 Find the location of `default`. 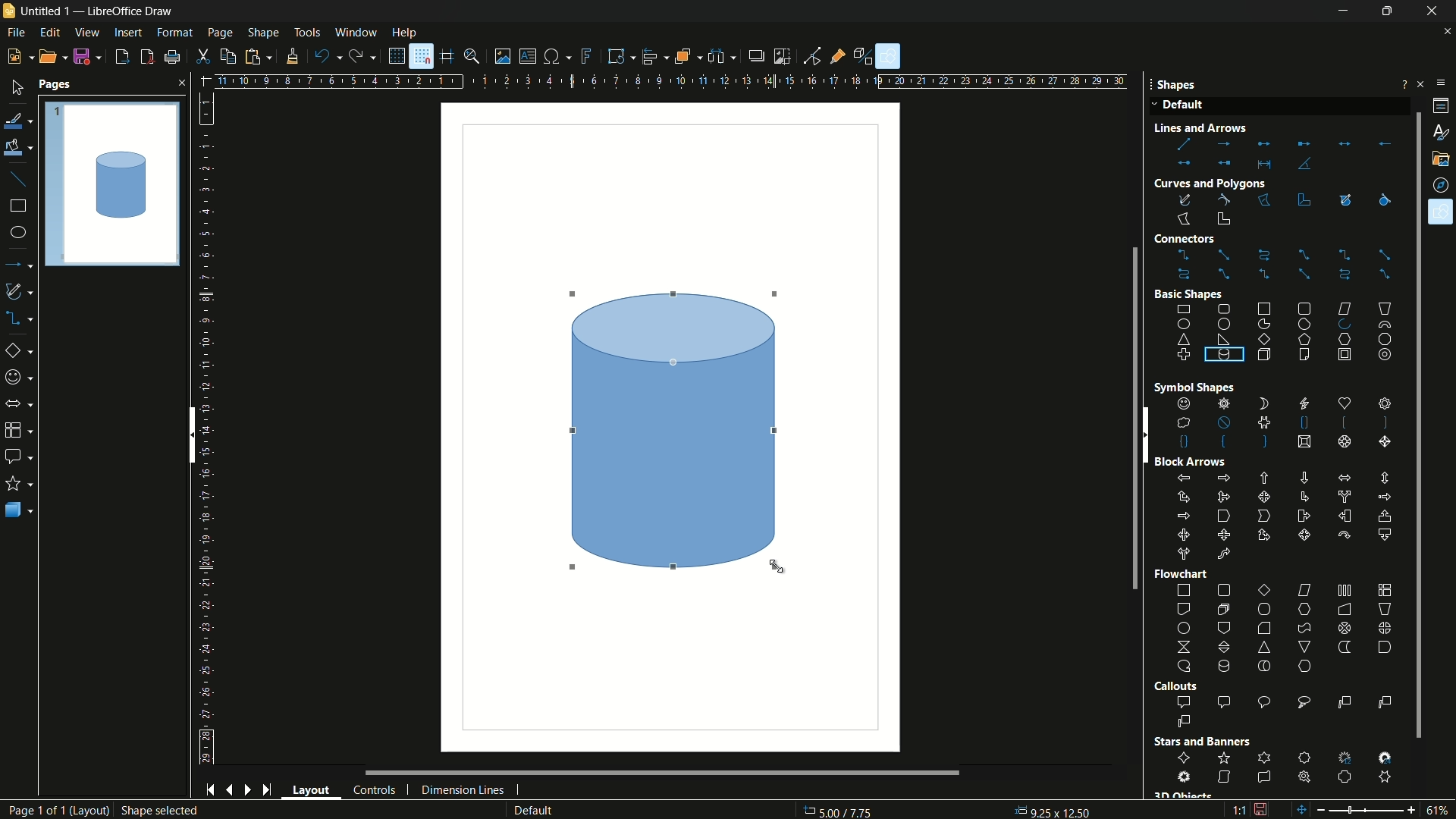

default is located at coordinates (554, 810).